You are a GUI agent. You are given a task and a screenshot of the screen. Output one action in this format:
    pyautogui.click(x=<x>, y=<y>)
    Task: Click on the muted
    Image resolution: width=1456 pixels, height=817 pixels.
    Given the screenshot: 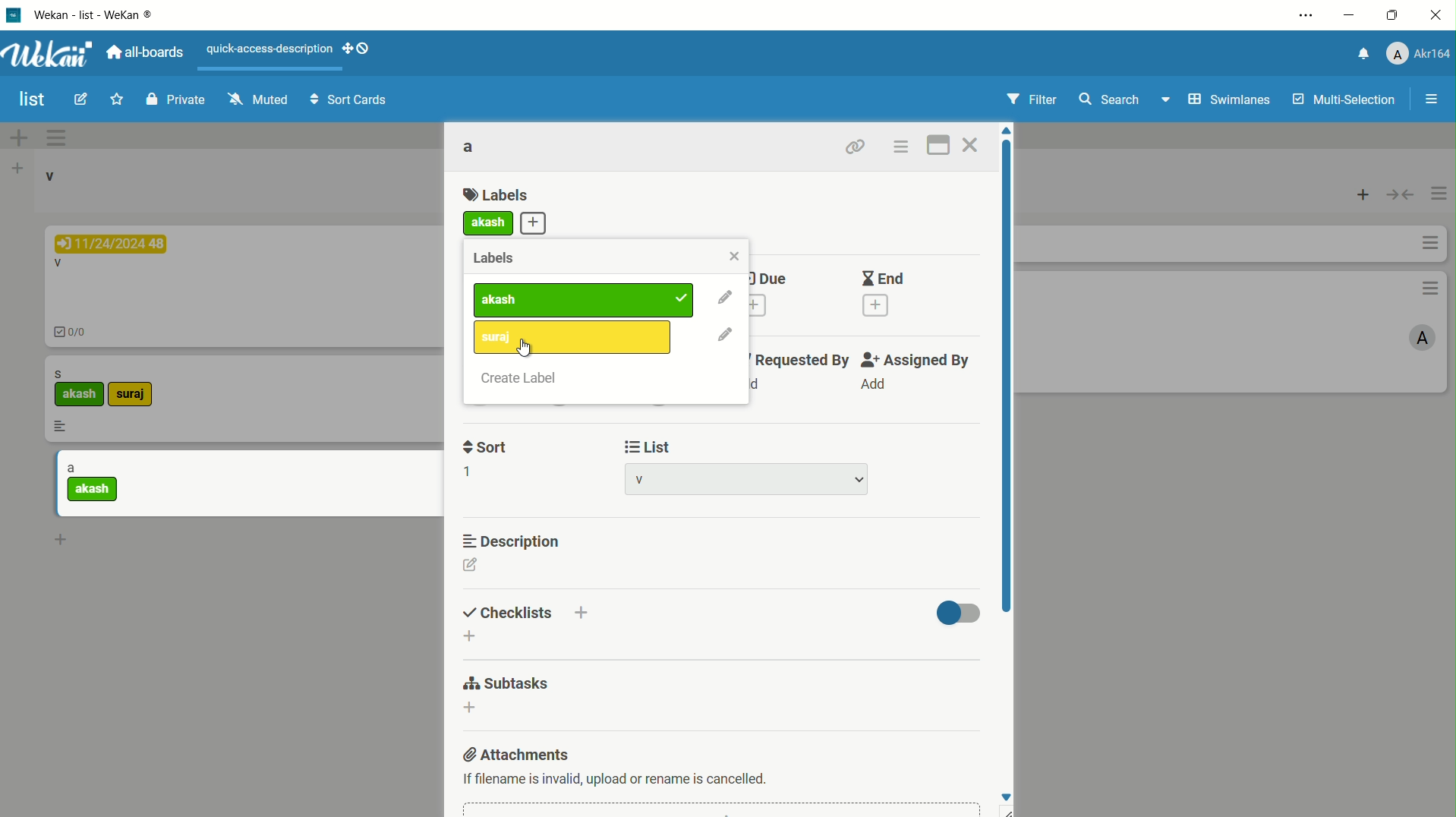 What is the action you would take?
    pyautogui.click(x=257, y=99)
    